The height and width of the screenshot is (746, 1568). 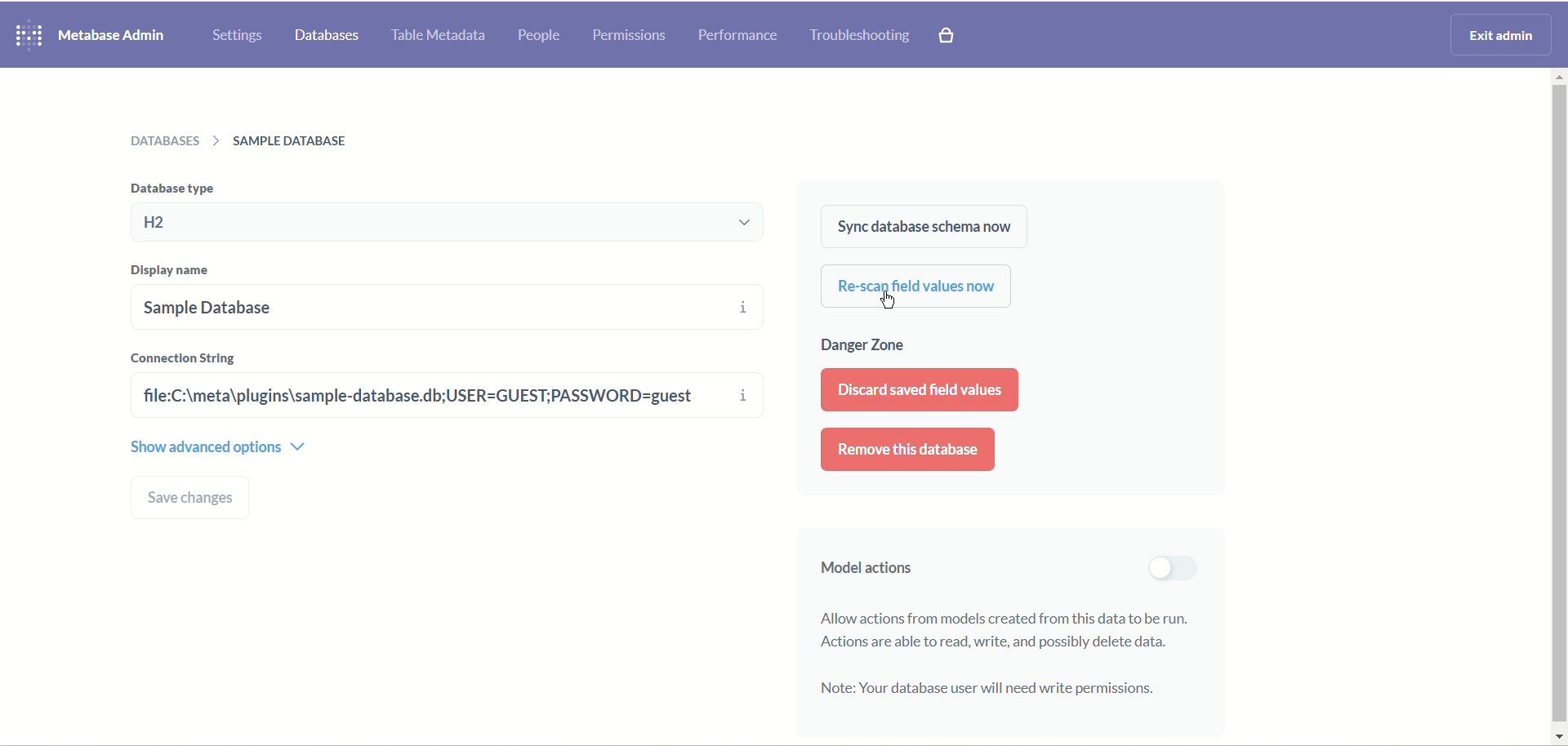 What do you see at coordinates (247, 140) in the screenshot?
I see `location` at bounding box center [247, 140].